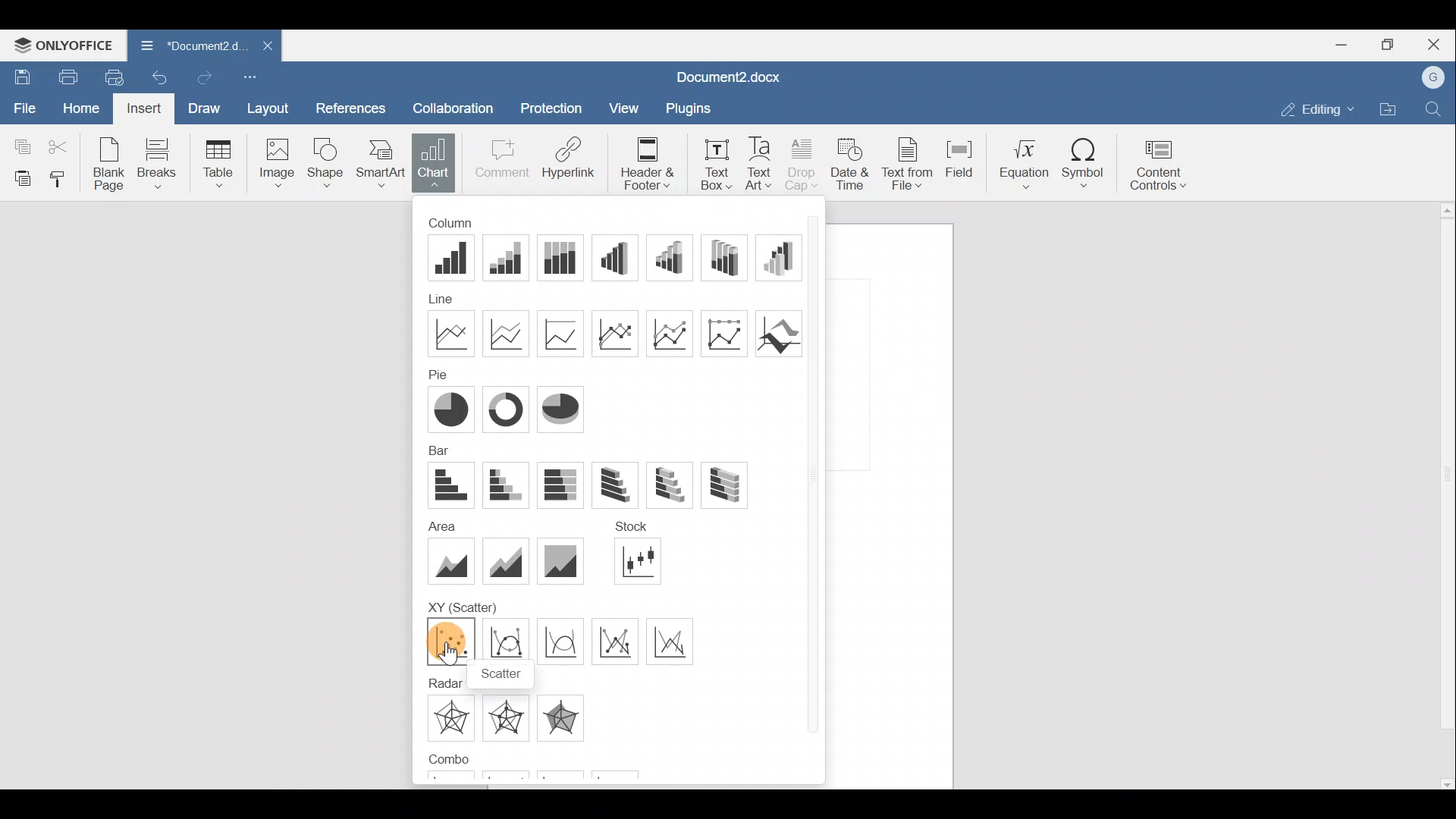  What do you see at coordinates (733, 257) in the screenshot?
I see `3-D 100% stacked column` at bounding box center [733, 257].